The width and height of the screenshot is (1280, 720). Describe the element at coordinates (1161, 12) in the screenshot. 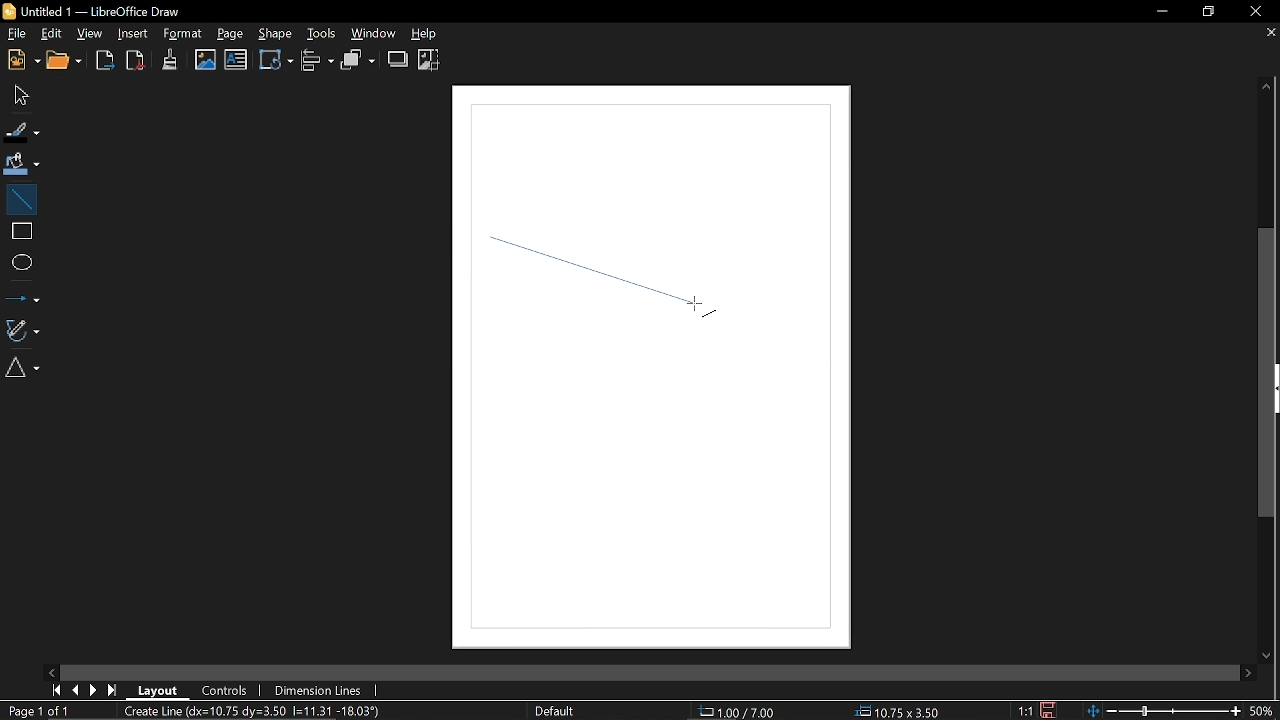

I see `Minimize` at that location.